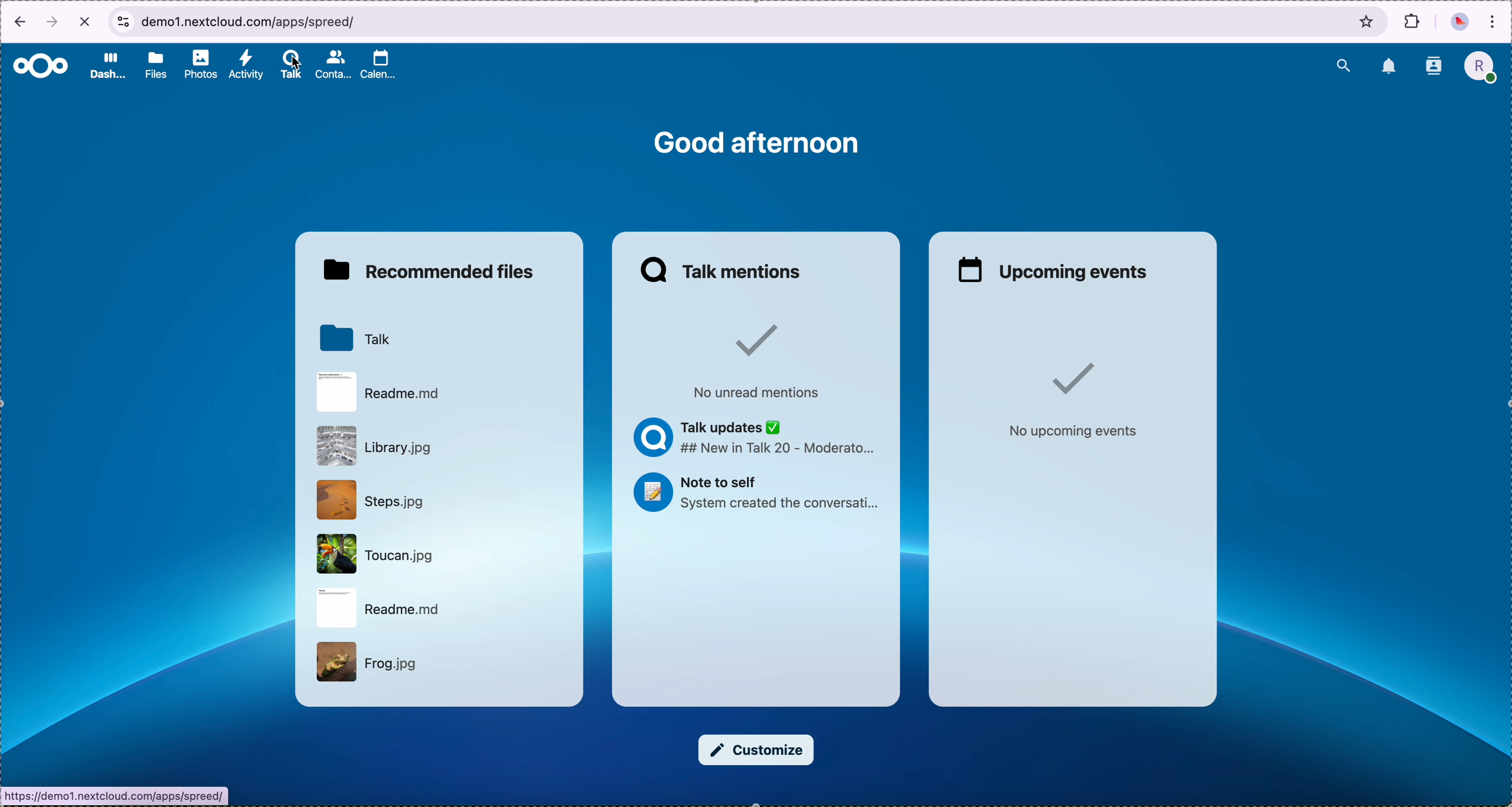 The width and height of the screenshot is (1512, 807). Describe the element at coordinates (754, 752) in the screenshot. I see `customize button` at that location.